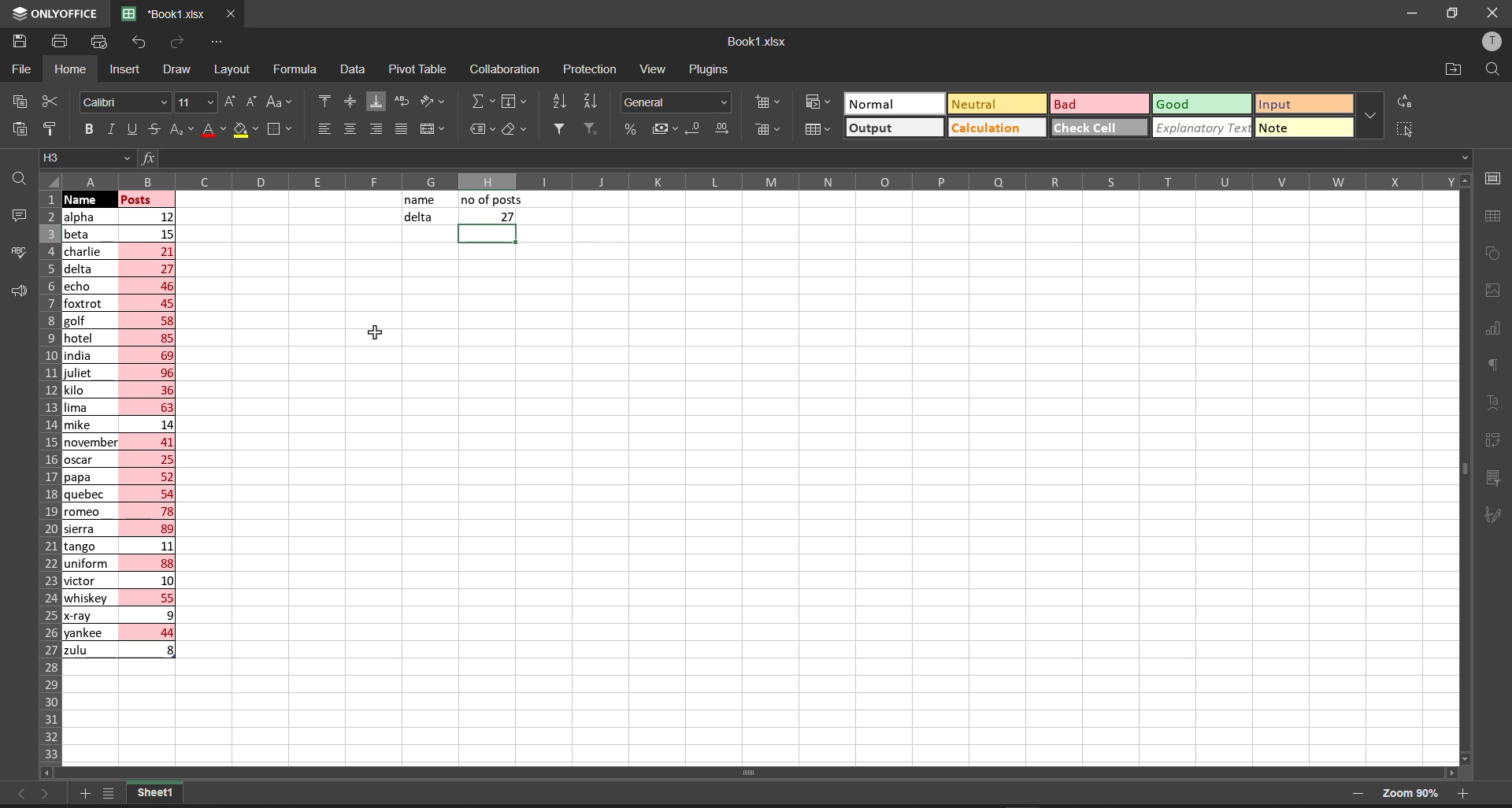 This screenshot has height=808, width=1512. What do you see at coordinates (1501, 474) in the screenshot?
I see `slicer settings` at bounding box center [1501, 474].